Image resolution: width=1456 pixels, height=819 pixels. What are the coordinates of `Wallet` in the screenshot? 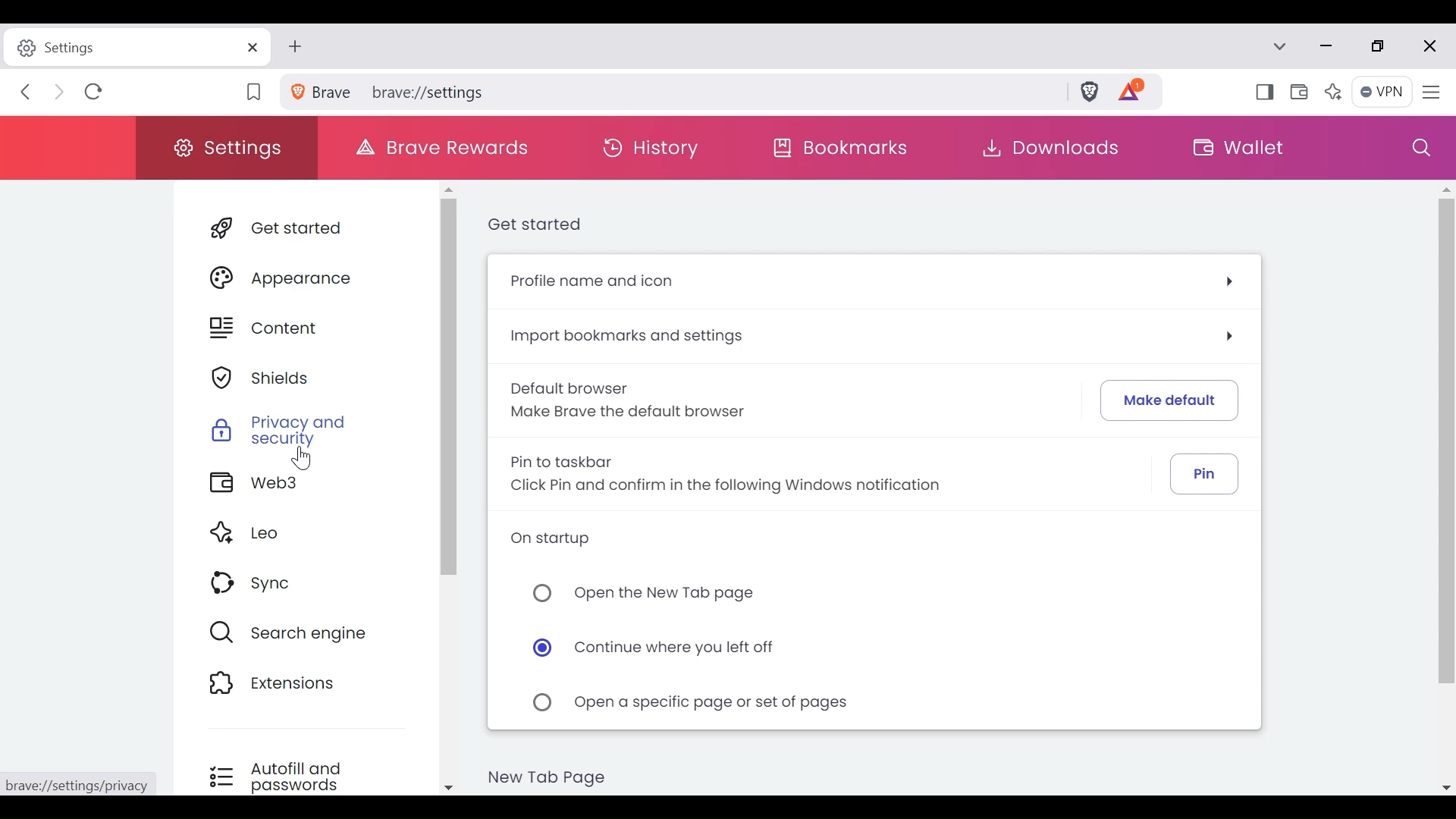 It's located at (1238, 146).